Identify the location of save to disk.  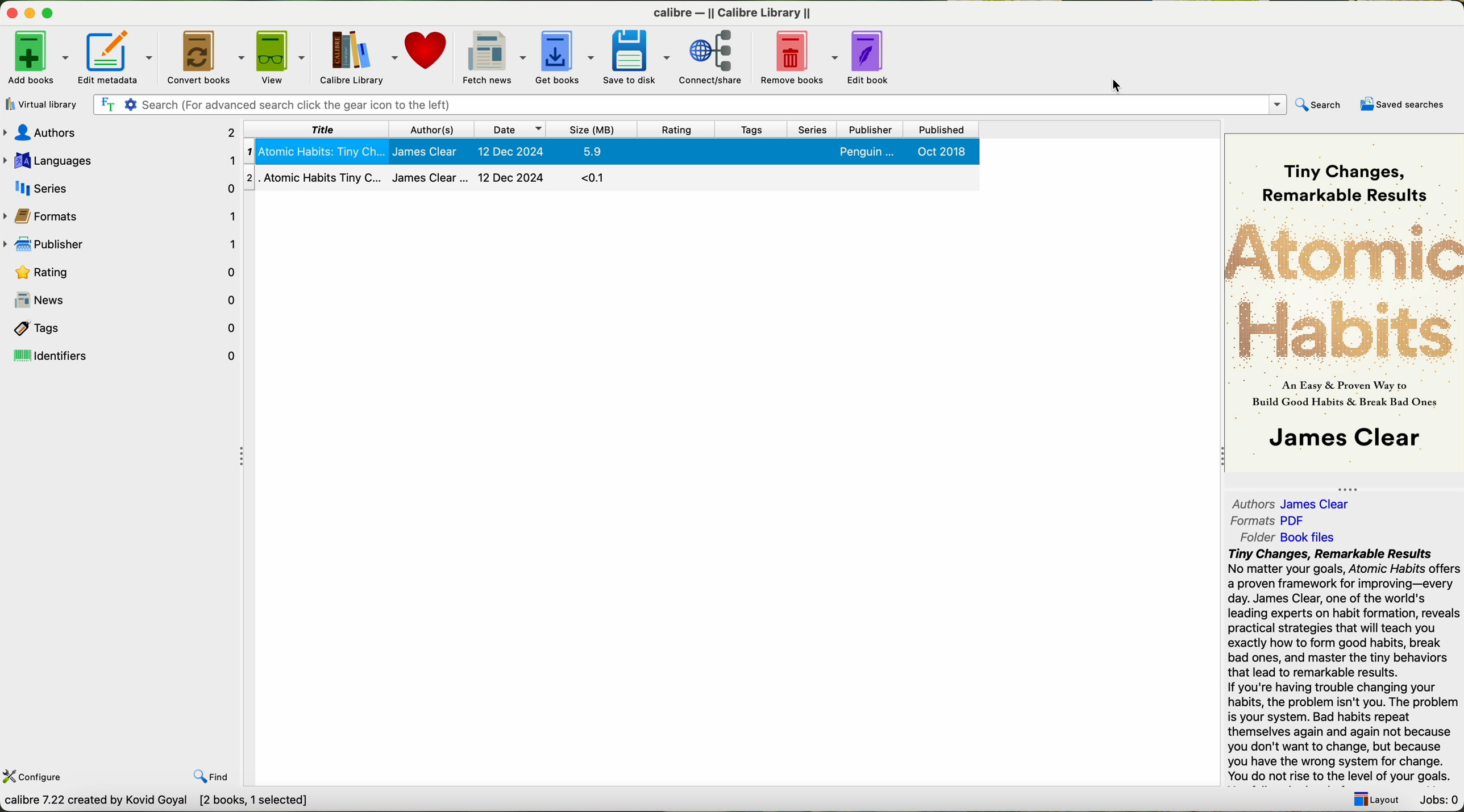
(634, 58).